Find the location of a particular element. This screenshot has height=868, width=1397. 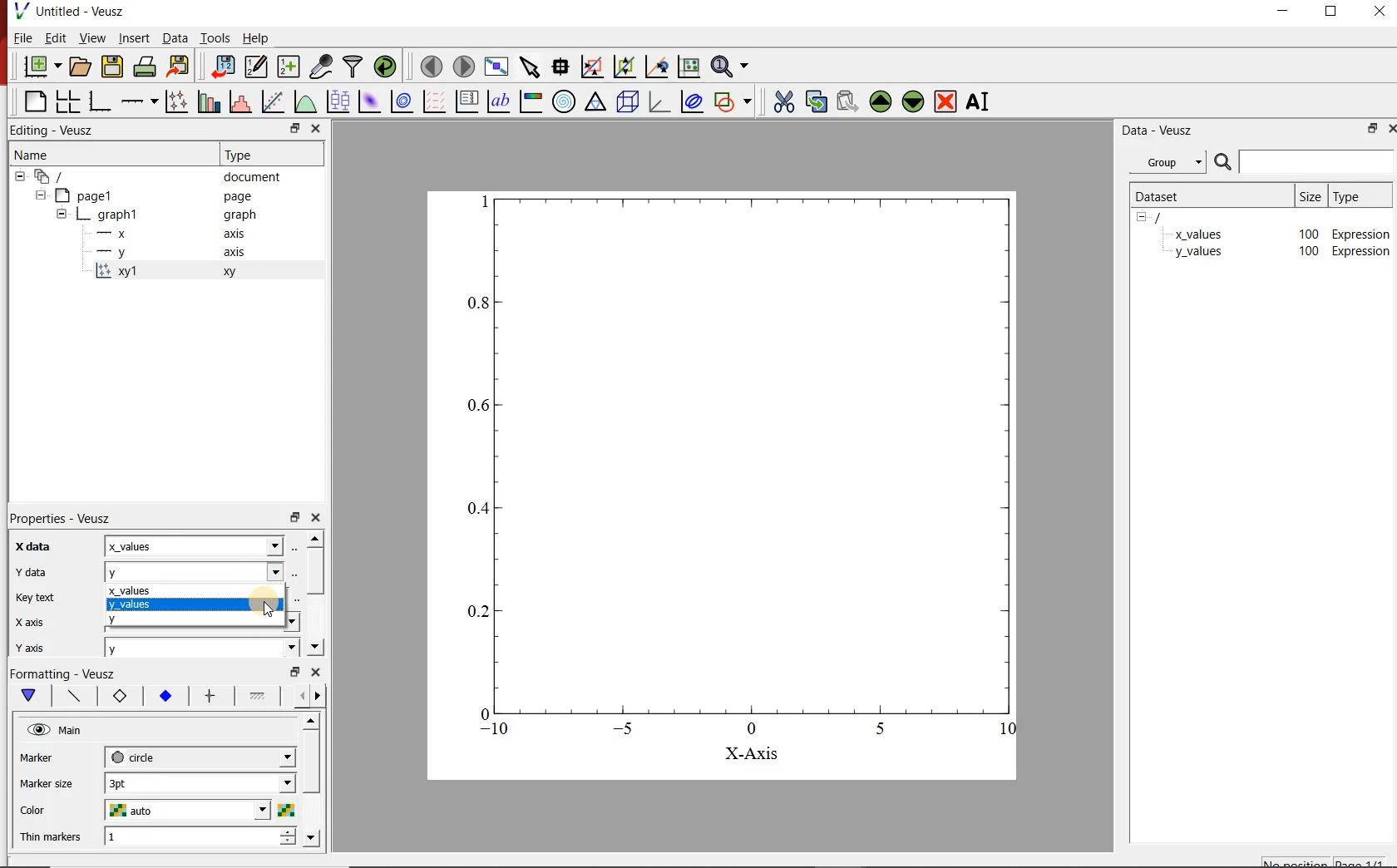

save is located at coordinates (113, 66).